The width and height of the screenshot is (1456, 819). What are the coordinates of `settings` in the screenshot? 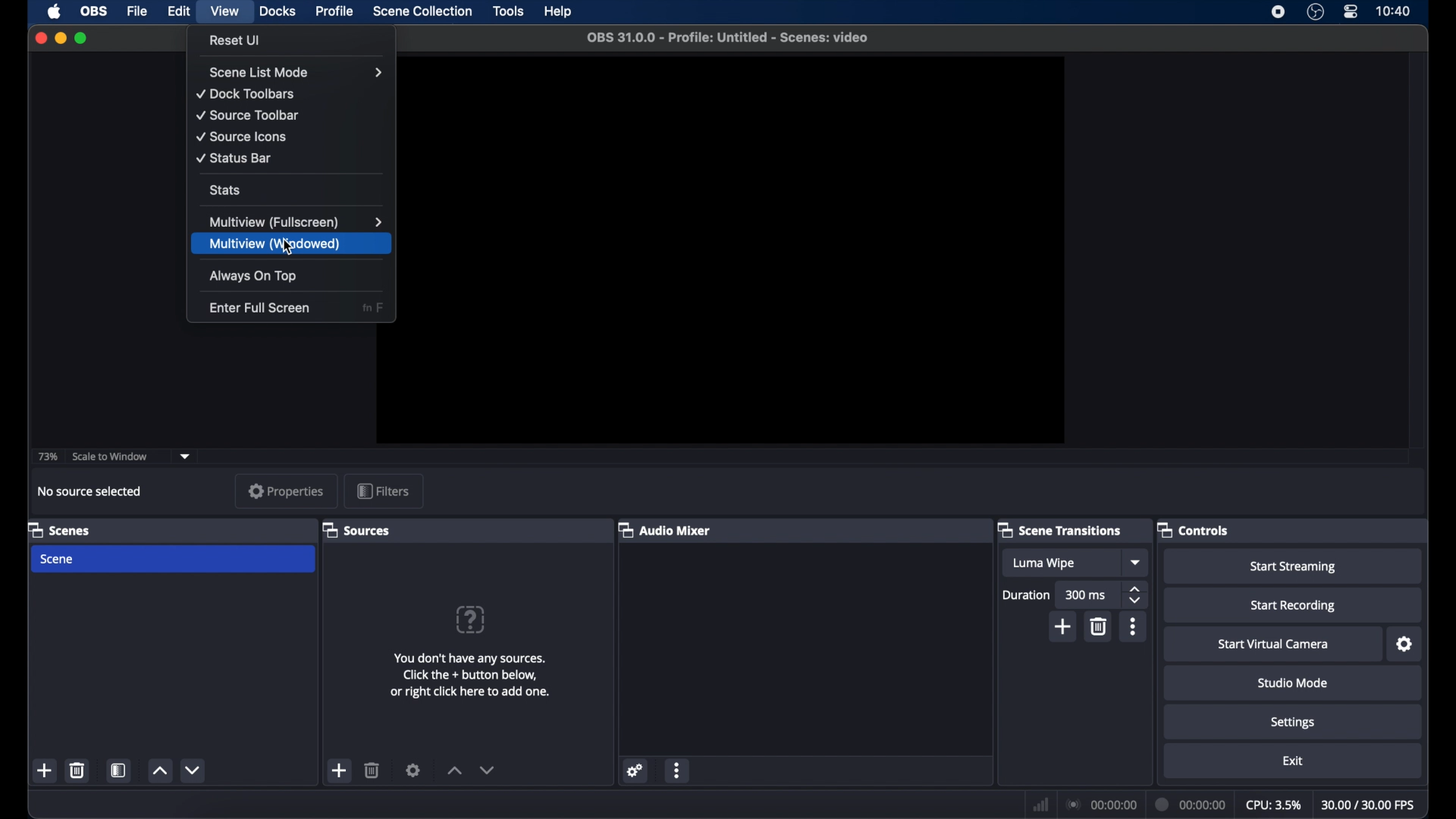 It's located at (636, 770).